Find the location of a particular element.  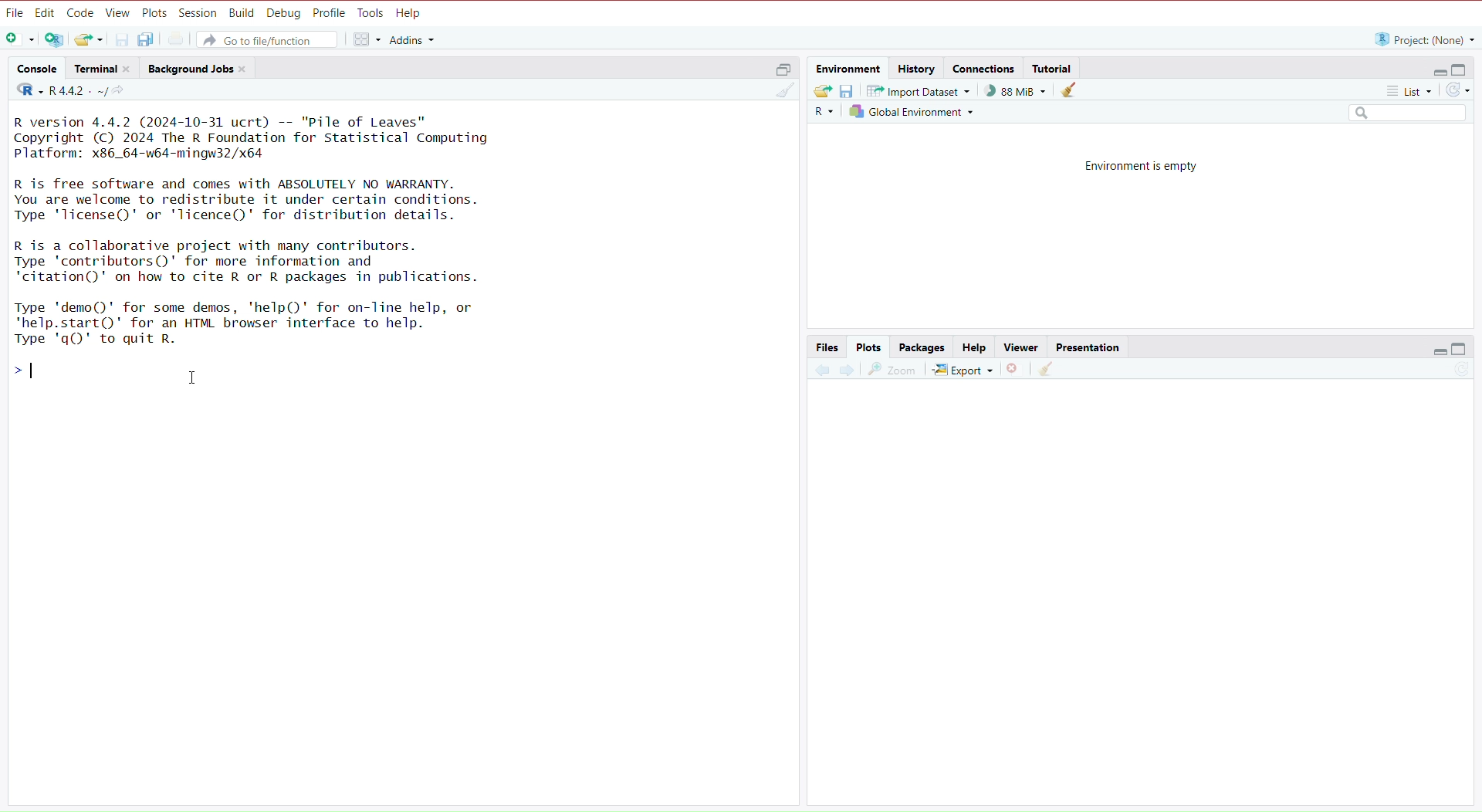

“R project: (None) ~ is located at coordinates (1425, 37).